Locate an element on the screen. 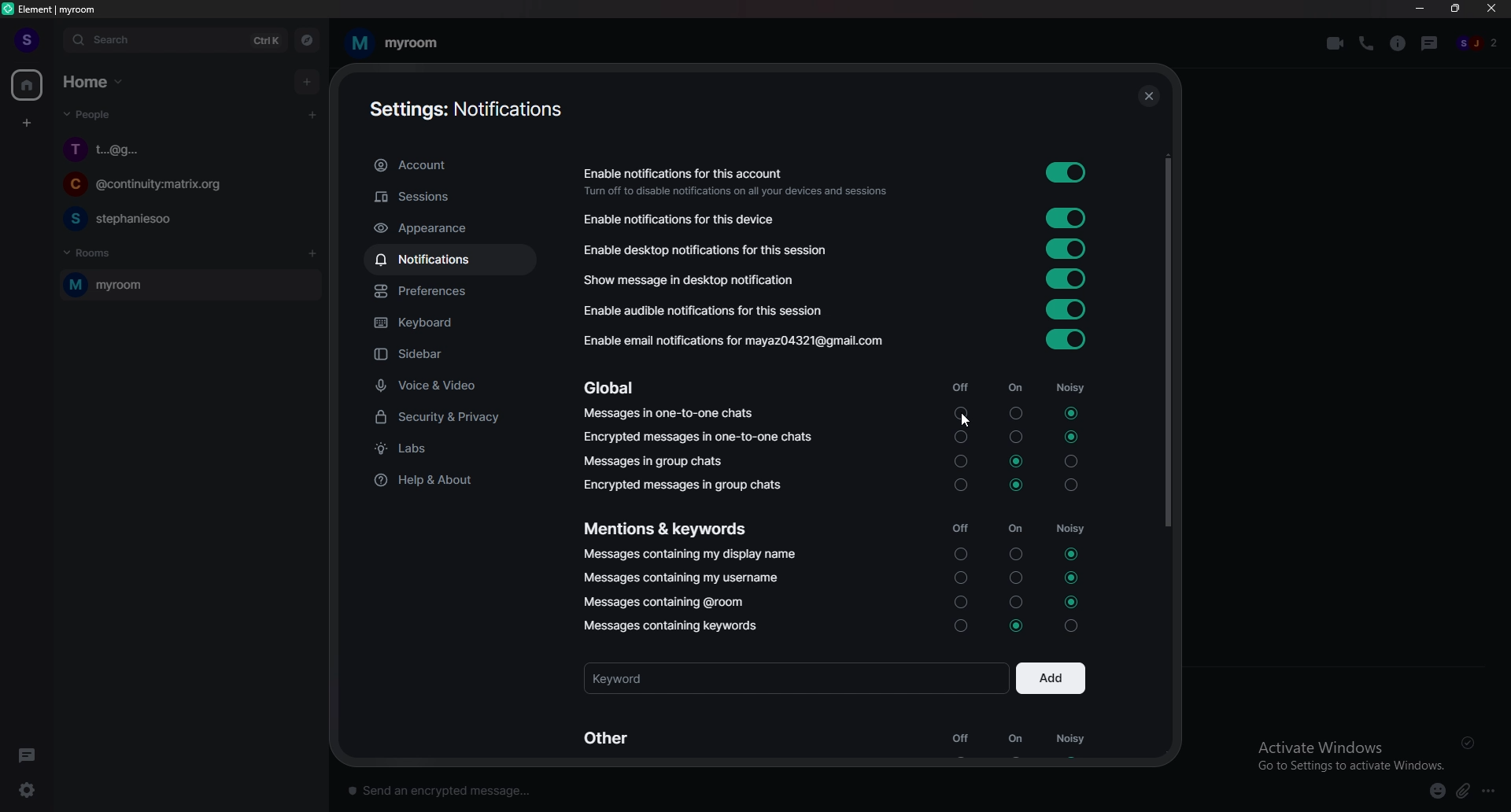  Message in one to one chats is located at coordinates (671, 415).